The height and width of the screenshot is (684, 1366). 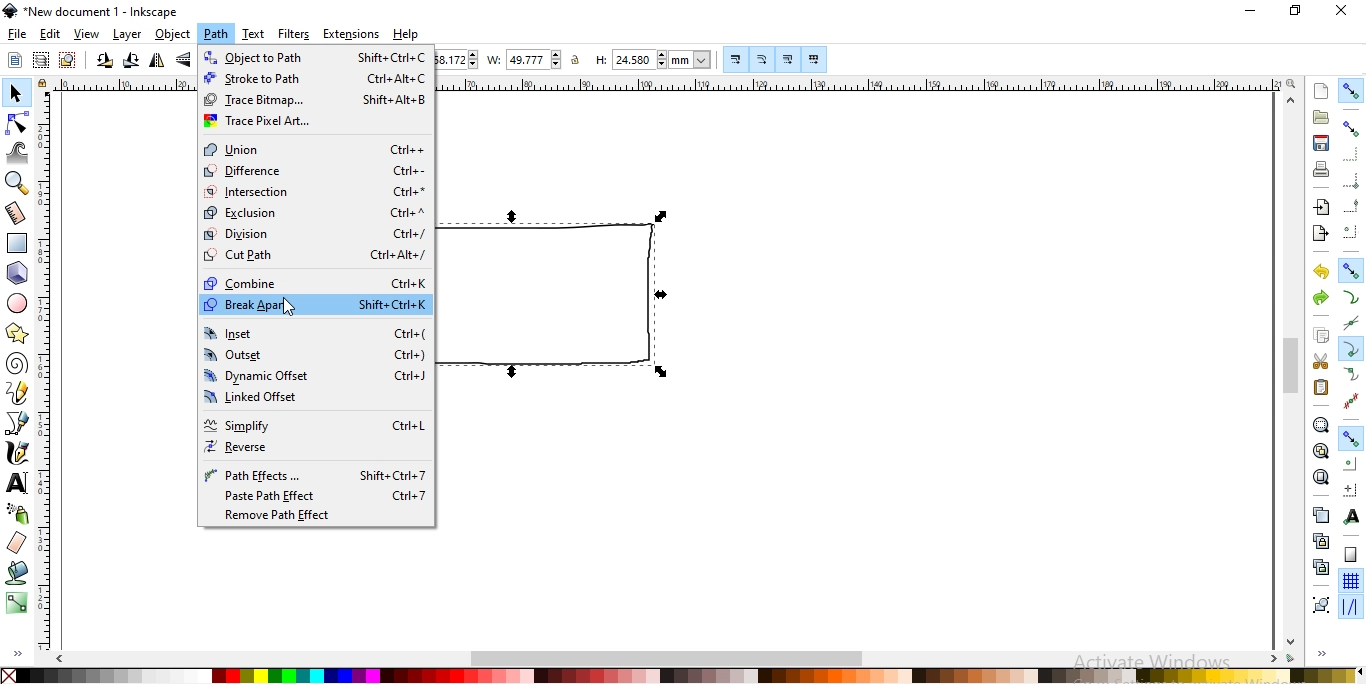 I want to click on snap to page border, so click(x=1351, y=554).